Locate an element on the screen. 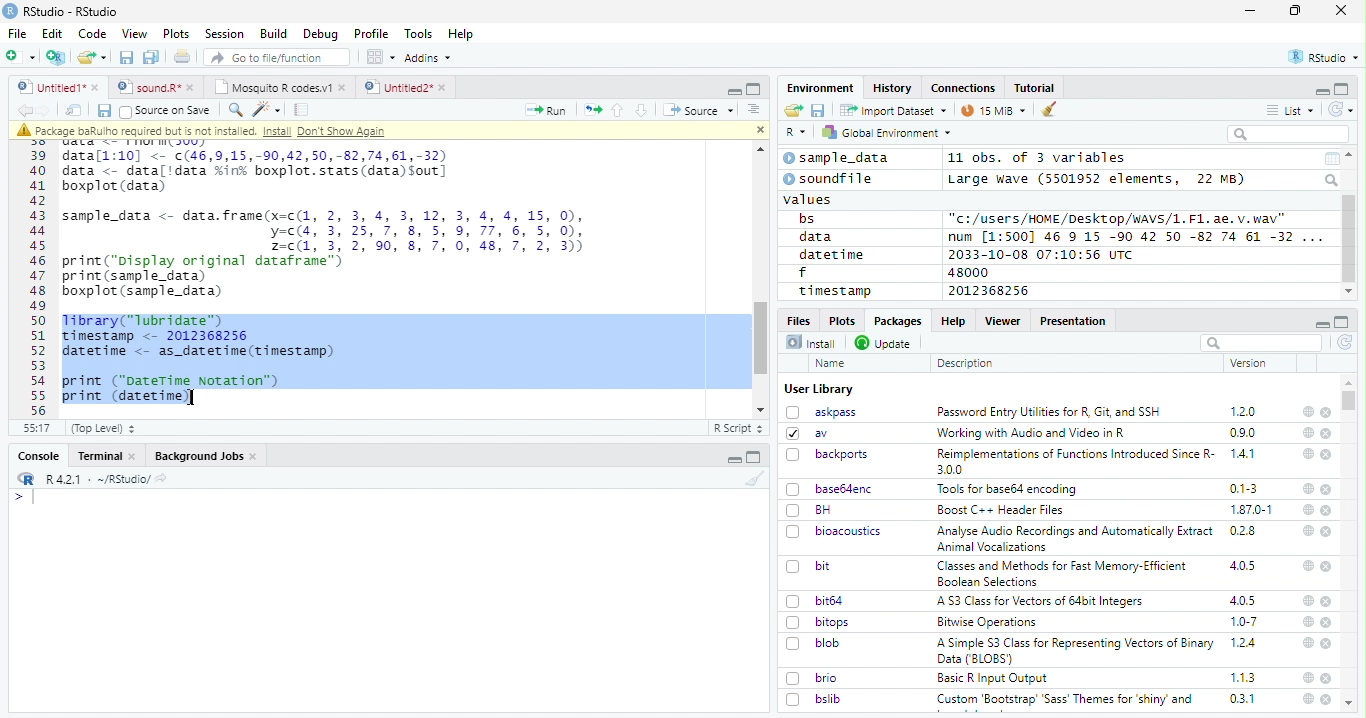 The image size is (1366, 718). go forward is located at coordinates (48, 110).